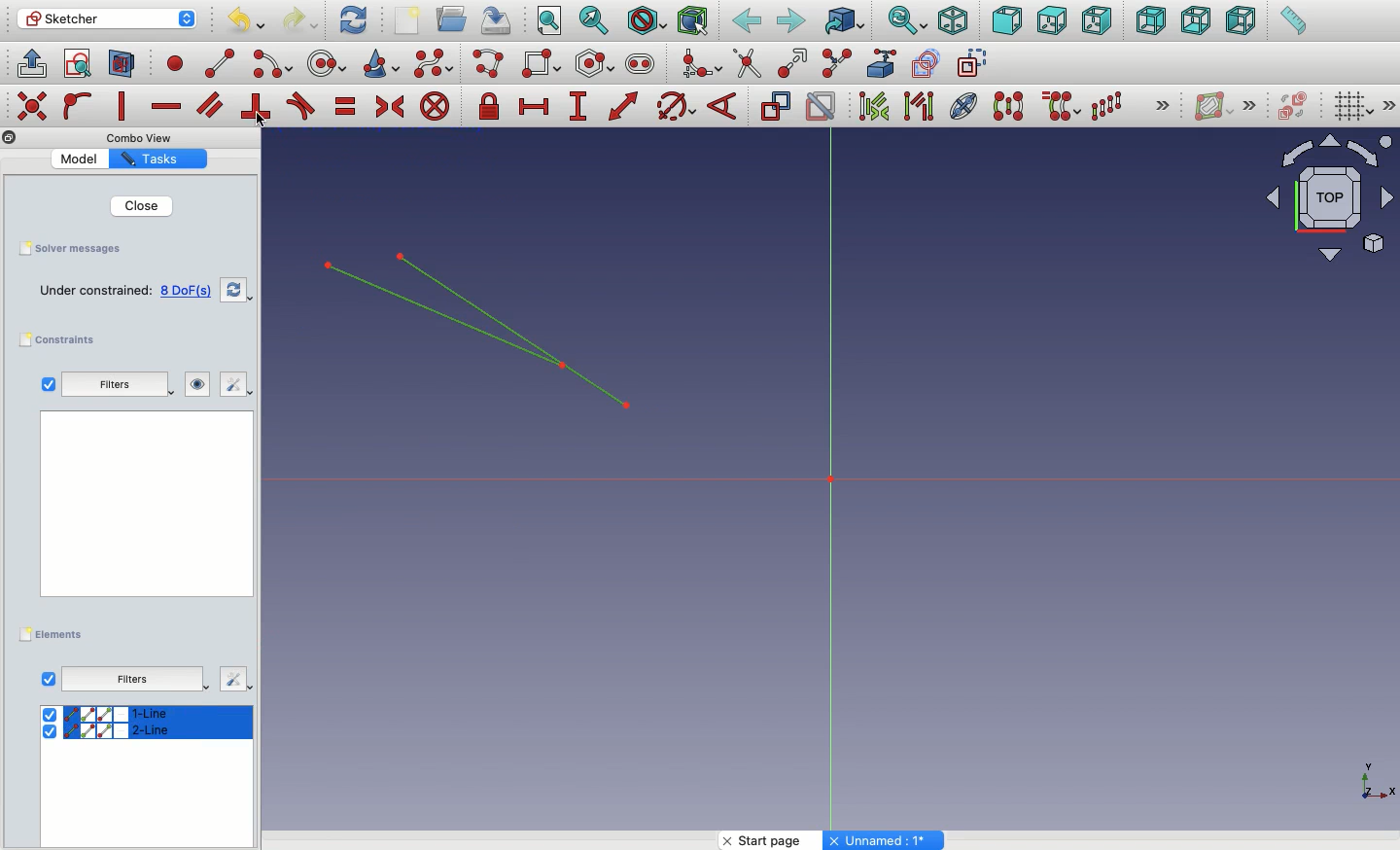 The width and height of the screenshot is (1400, 850). Describe the element at coordinates (907, 20) in the screenshot. I see `Sync view` at that location.